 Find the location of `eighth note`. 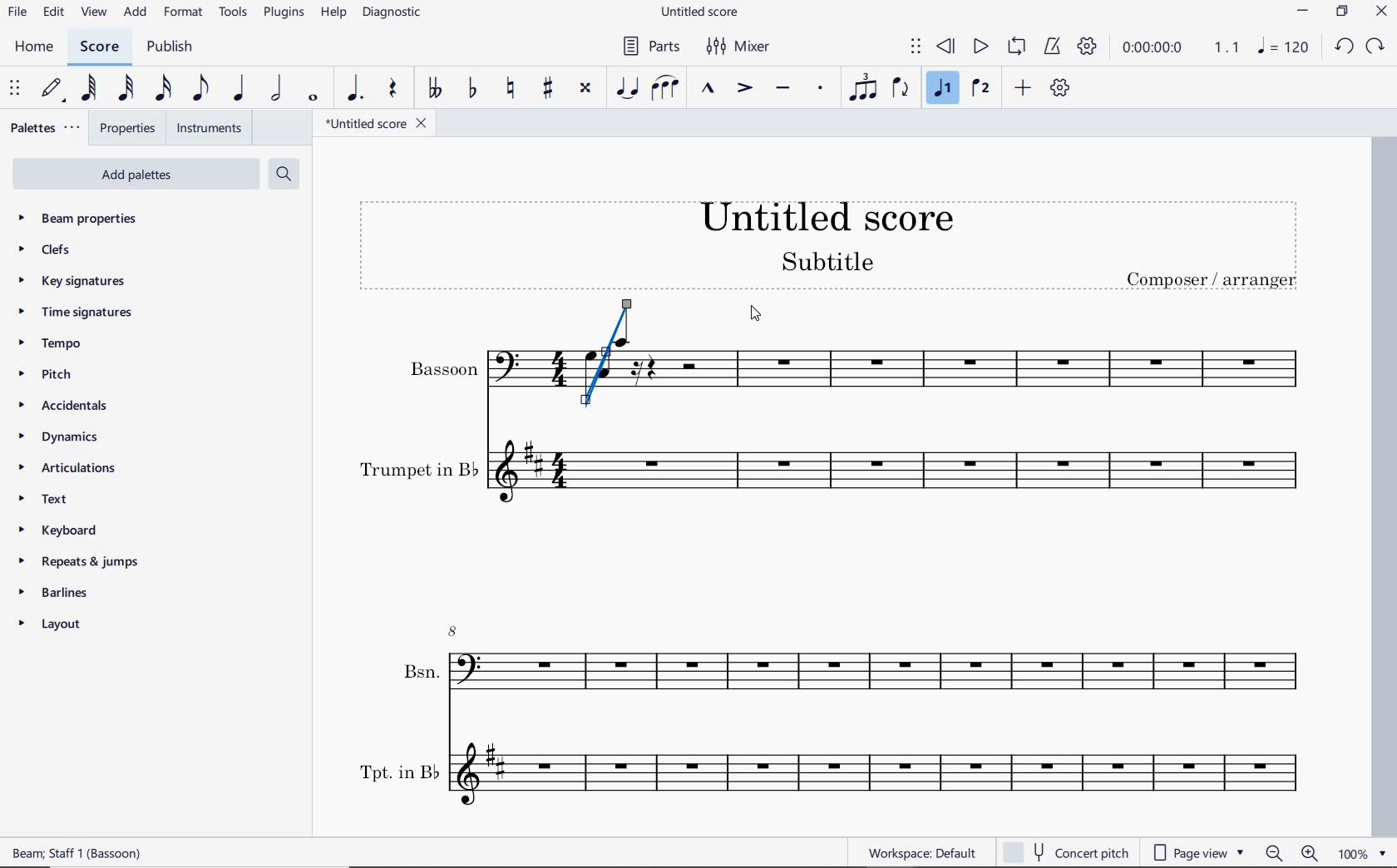

eighth note is located at coordinates (201, 88).